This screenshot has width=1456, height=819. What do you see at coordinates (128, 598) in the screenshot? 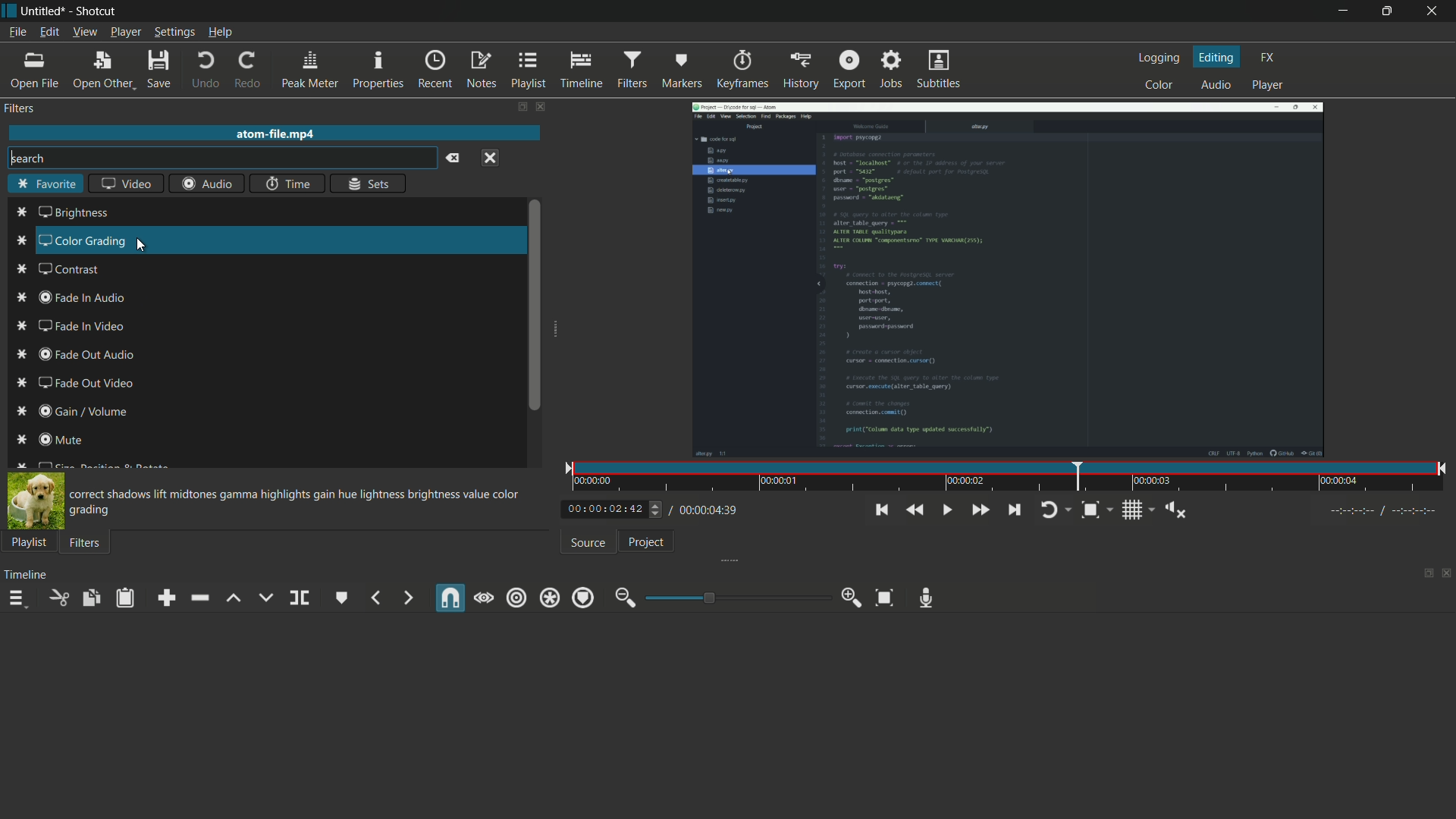
I see `paste` at bounding box center [128, 598].